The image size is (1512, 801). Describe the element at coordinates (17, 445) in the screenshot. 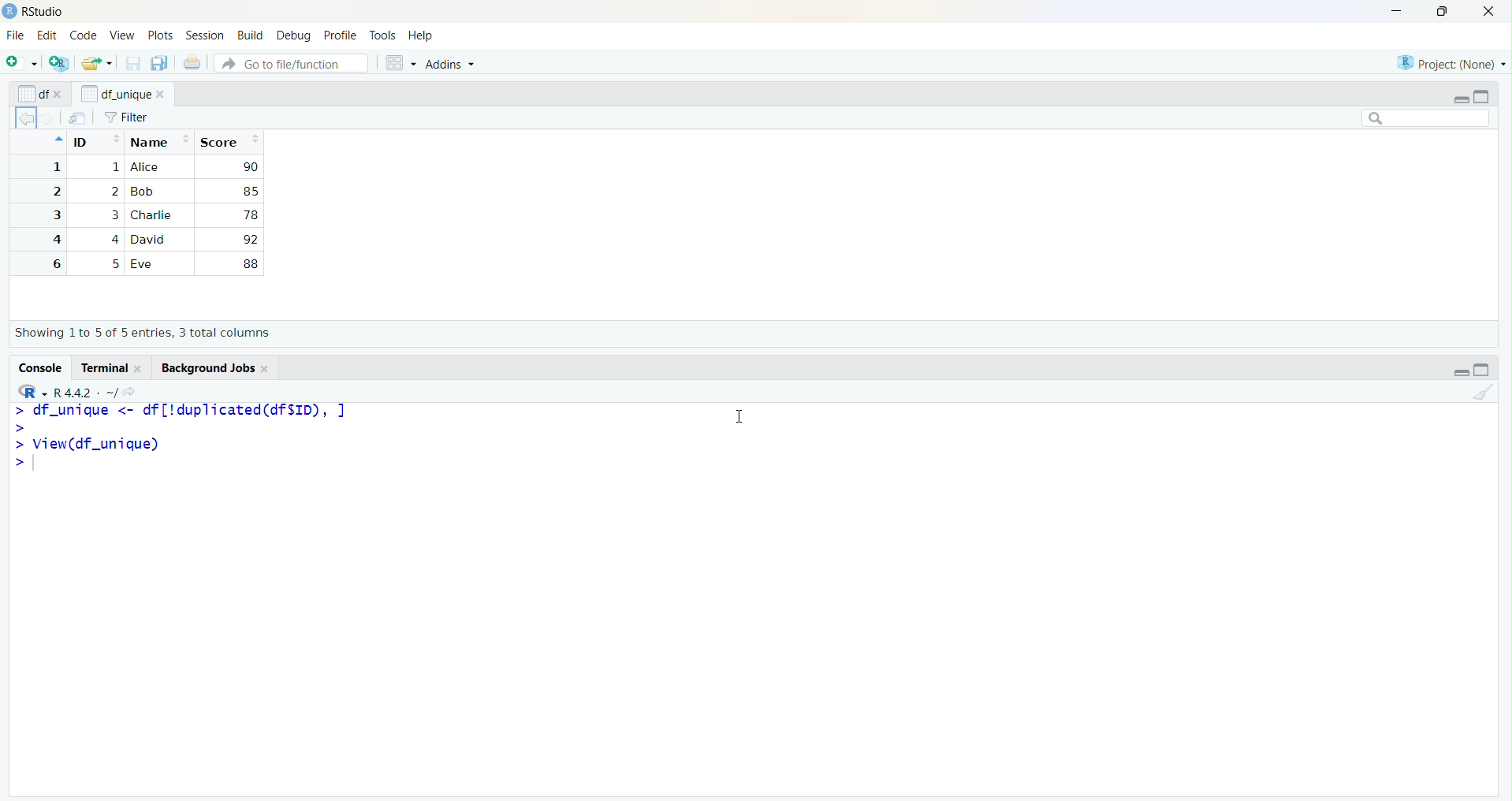

I see `start typing` at that location.